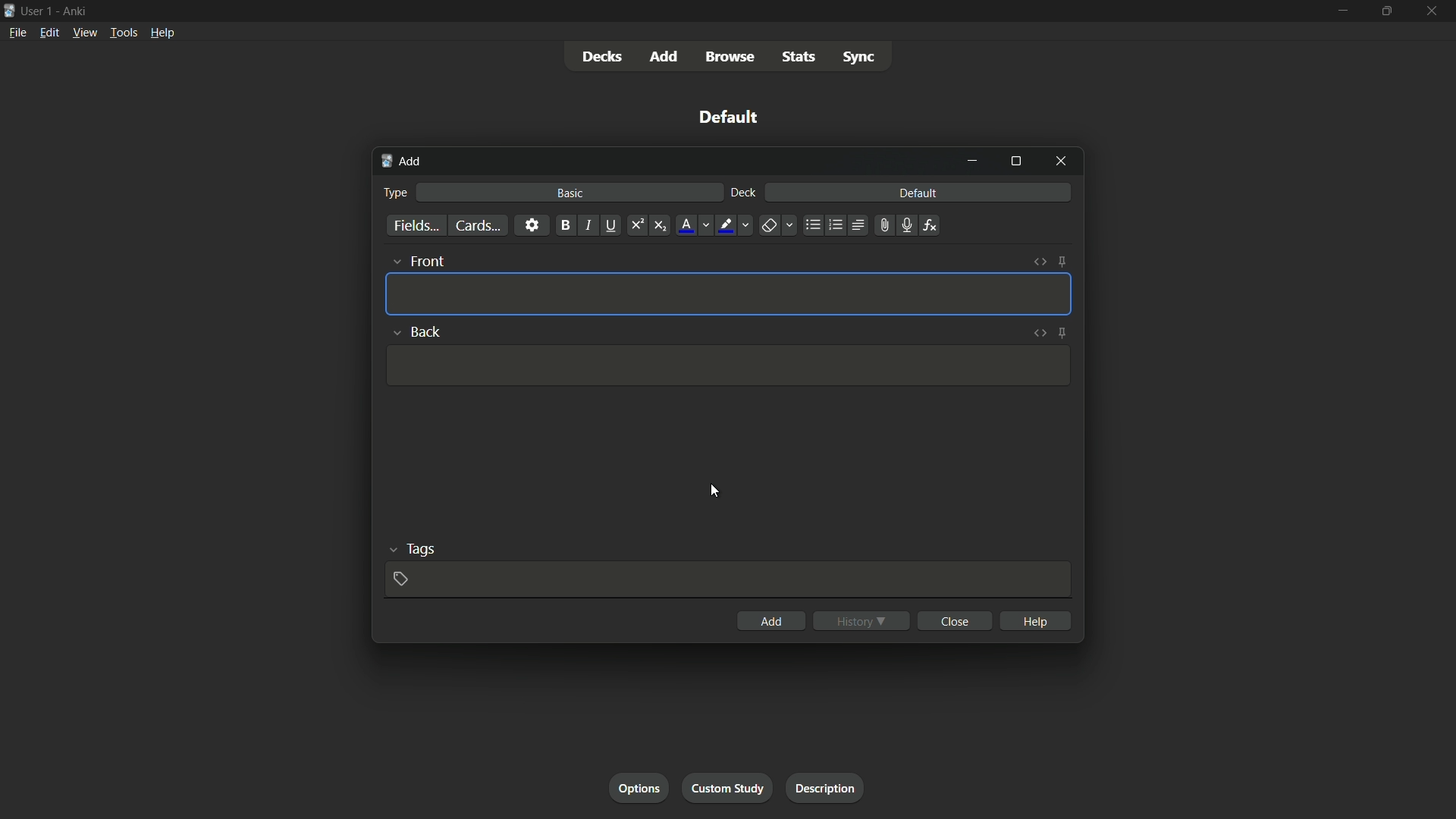  I want to click on equations, so click(932, 225).